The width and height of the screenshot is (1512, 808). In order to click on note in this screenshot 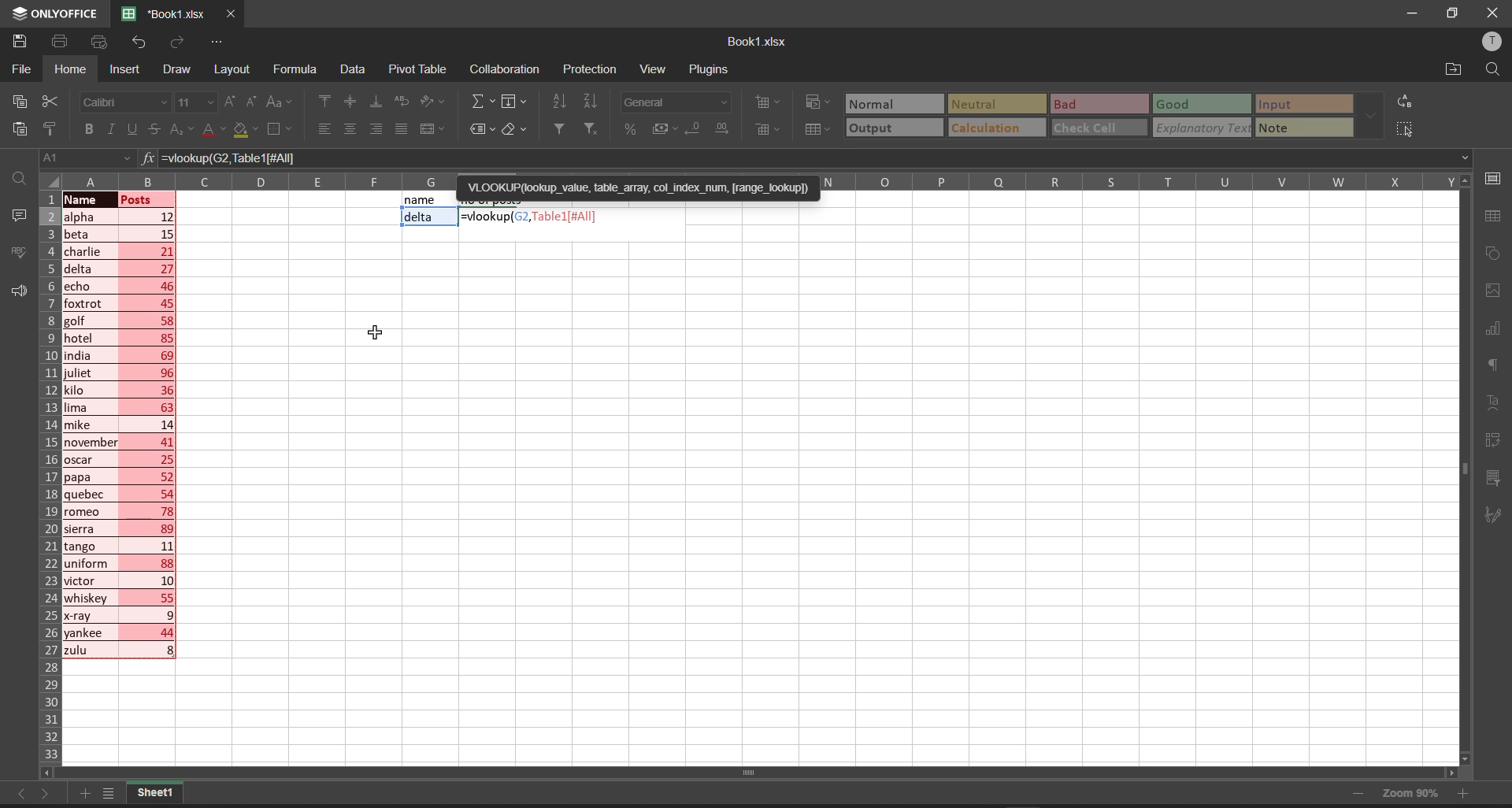, I will do `click(1285, 126)`.